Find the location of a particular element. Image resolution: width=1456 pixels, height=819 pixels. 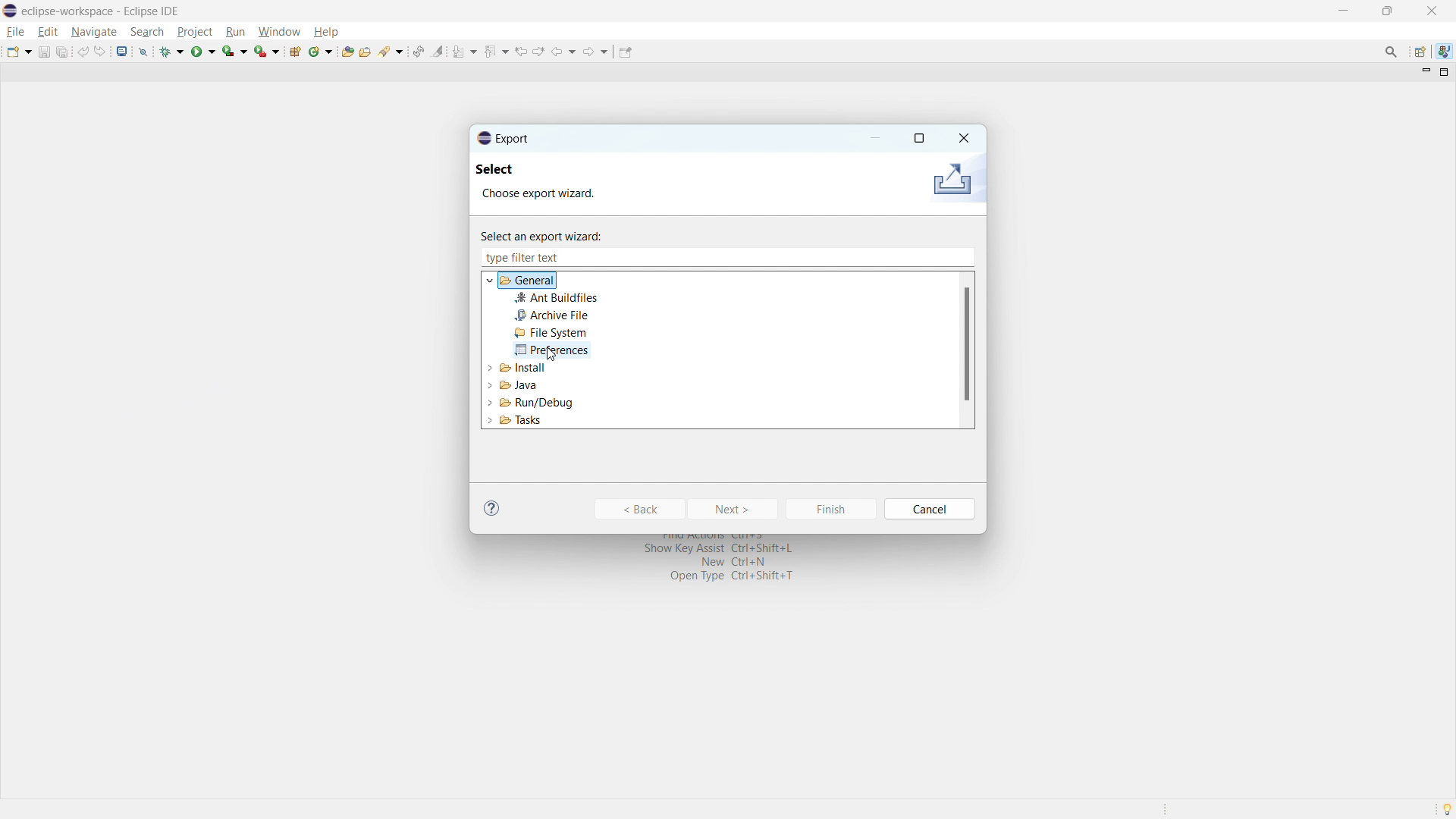

new java class is located at coordinates (321, 52).